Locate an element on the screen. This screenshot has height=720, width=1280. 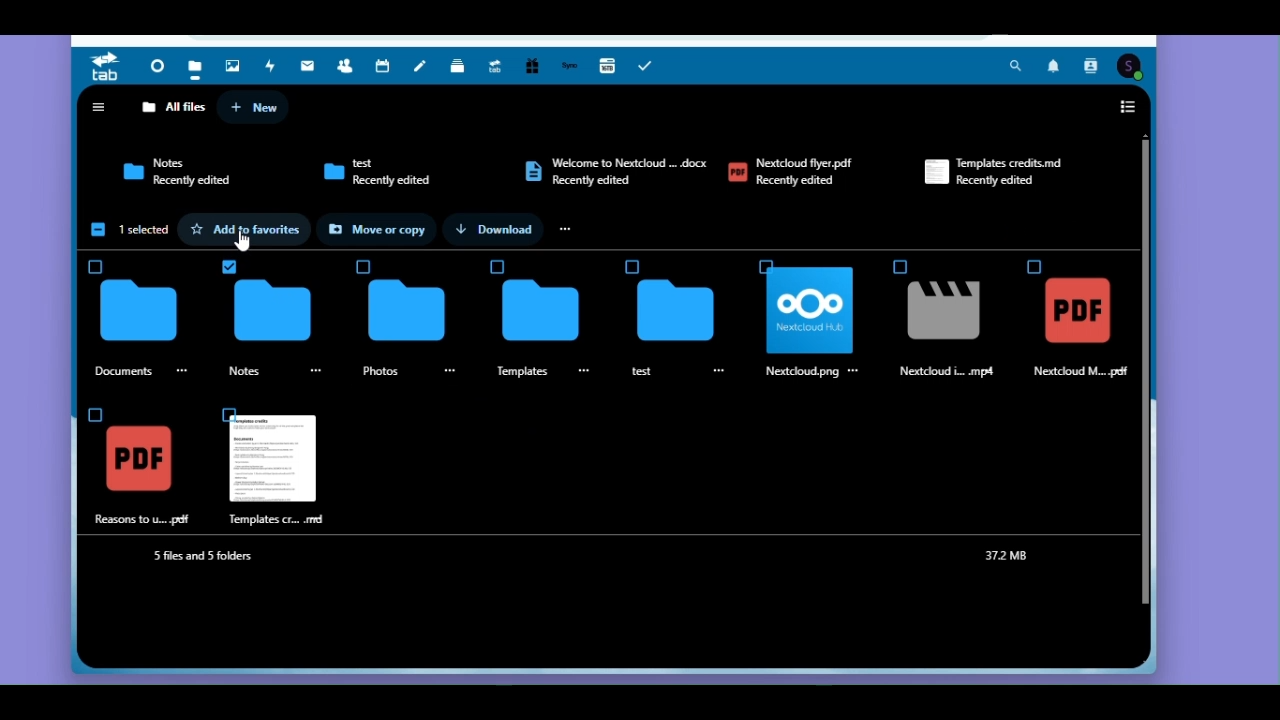
Icon is located at coordinates (139, 461).